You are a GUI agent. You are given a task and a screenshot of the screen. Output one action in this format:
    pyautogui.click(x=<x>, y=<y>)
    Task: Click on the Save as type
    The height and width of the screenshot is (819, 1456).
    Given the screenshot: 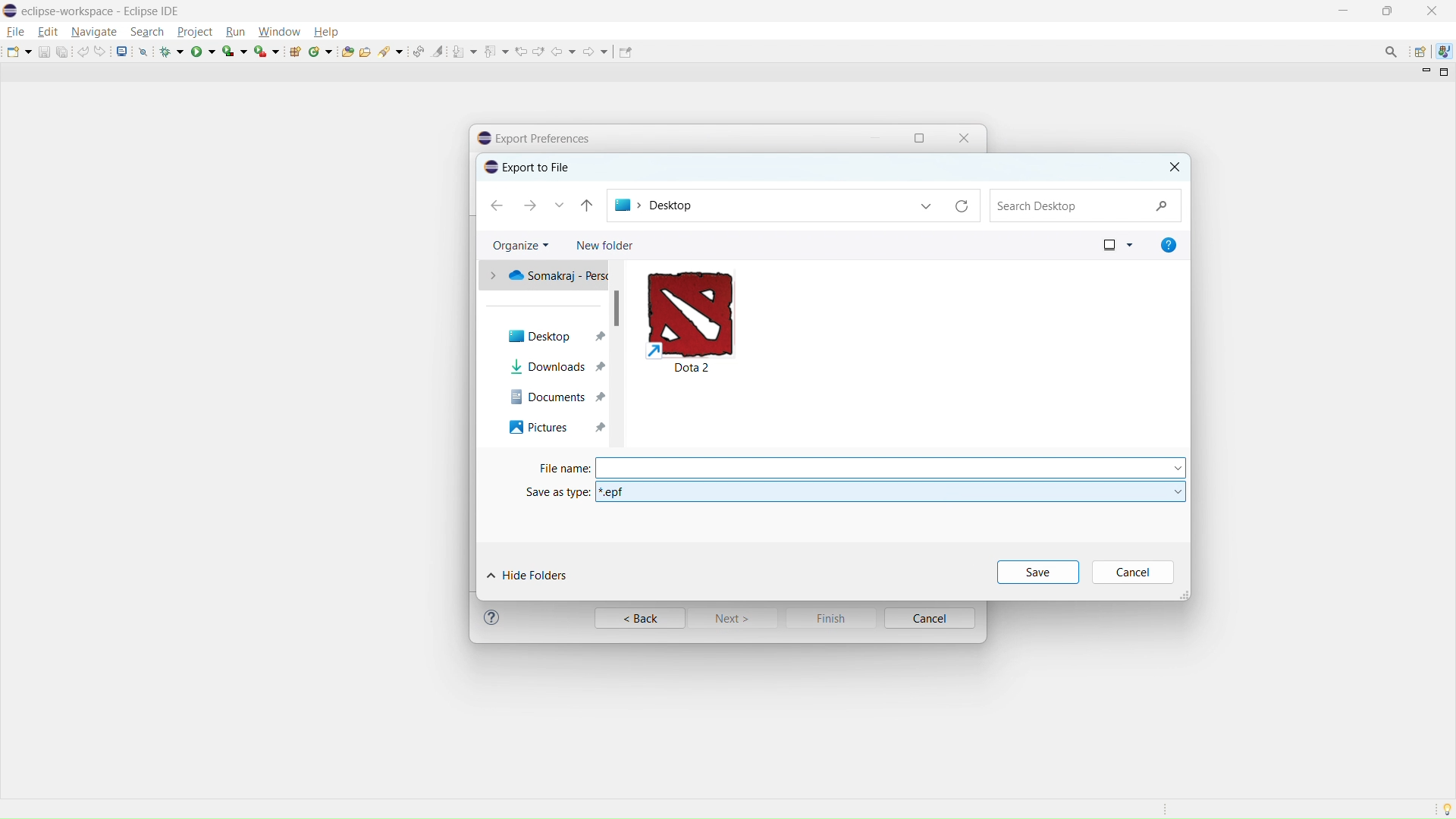 What is the action you would take?
    pyautogui.click(x=548, y=491)
    